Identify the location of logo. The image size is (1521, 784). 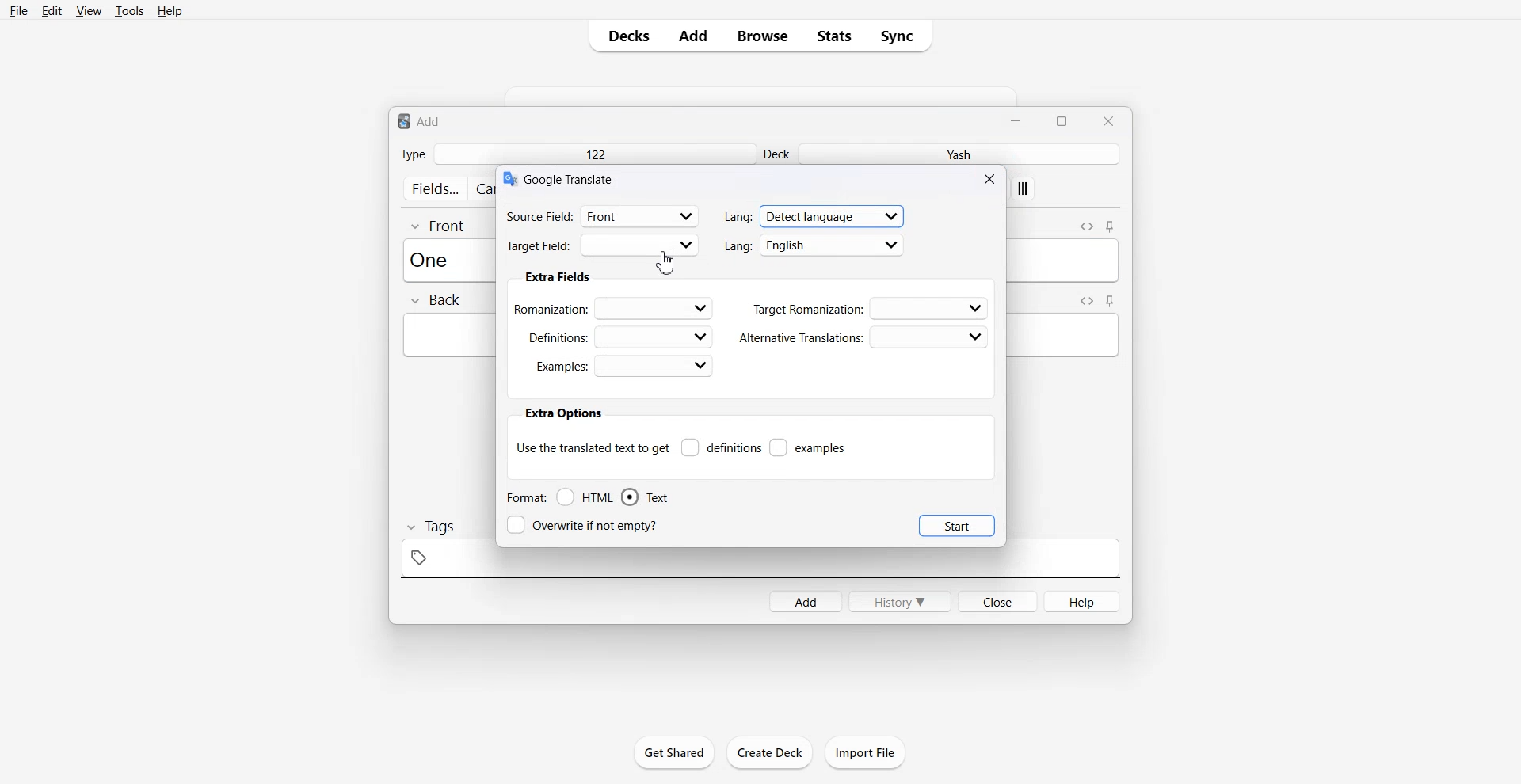
(509, 179).